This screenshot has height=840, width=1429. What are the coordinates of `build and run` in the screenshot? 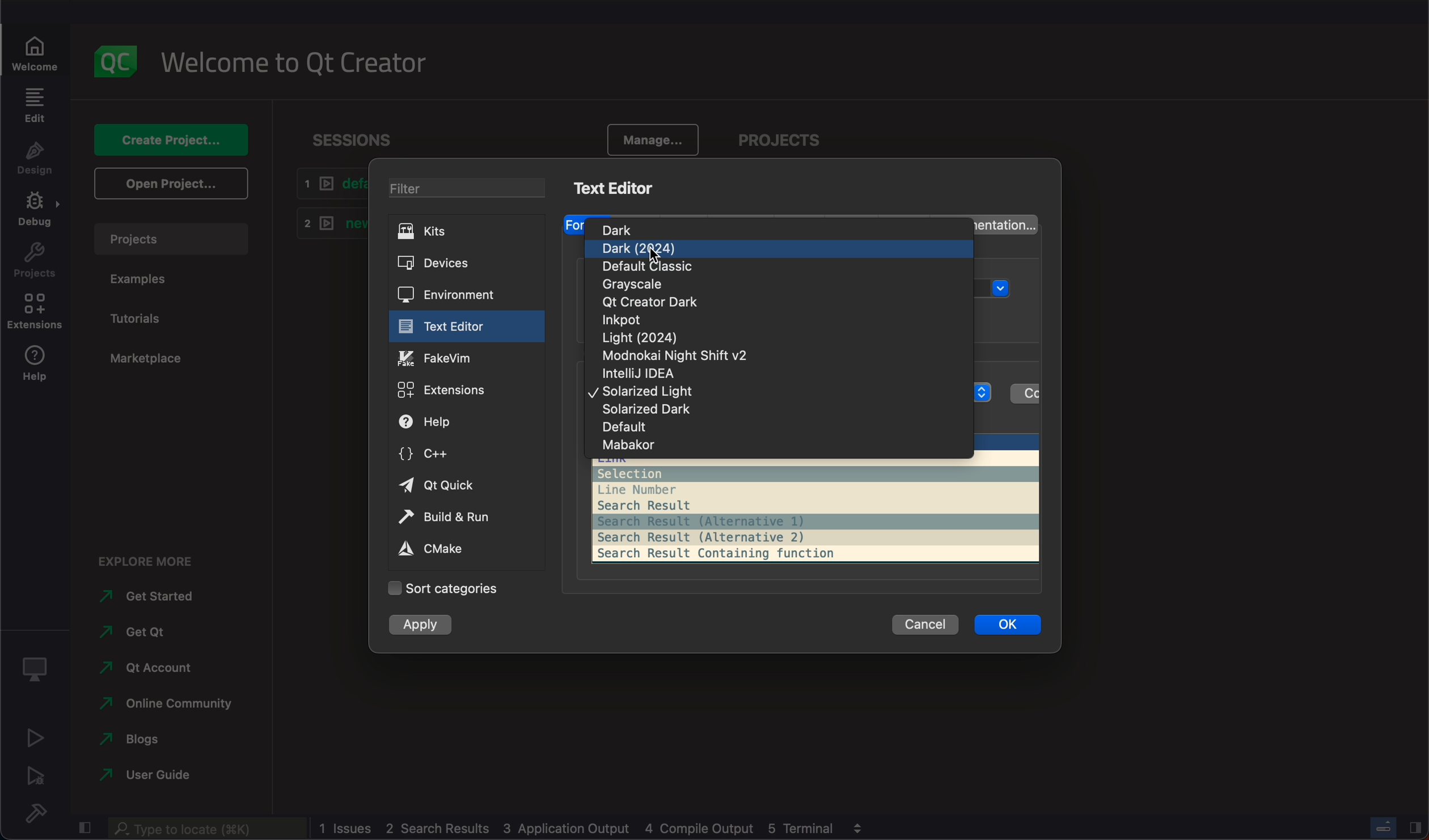 It's located at (466, 516).